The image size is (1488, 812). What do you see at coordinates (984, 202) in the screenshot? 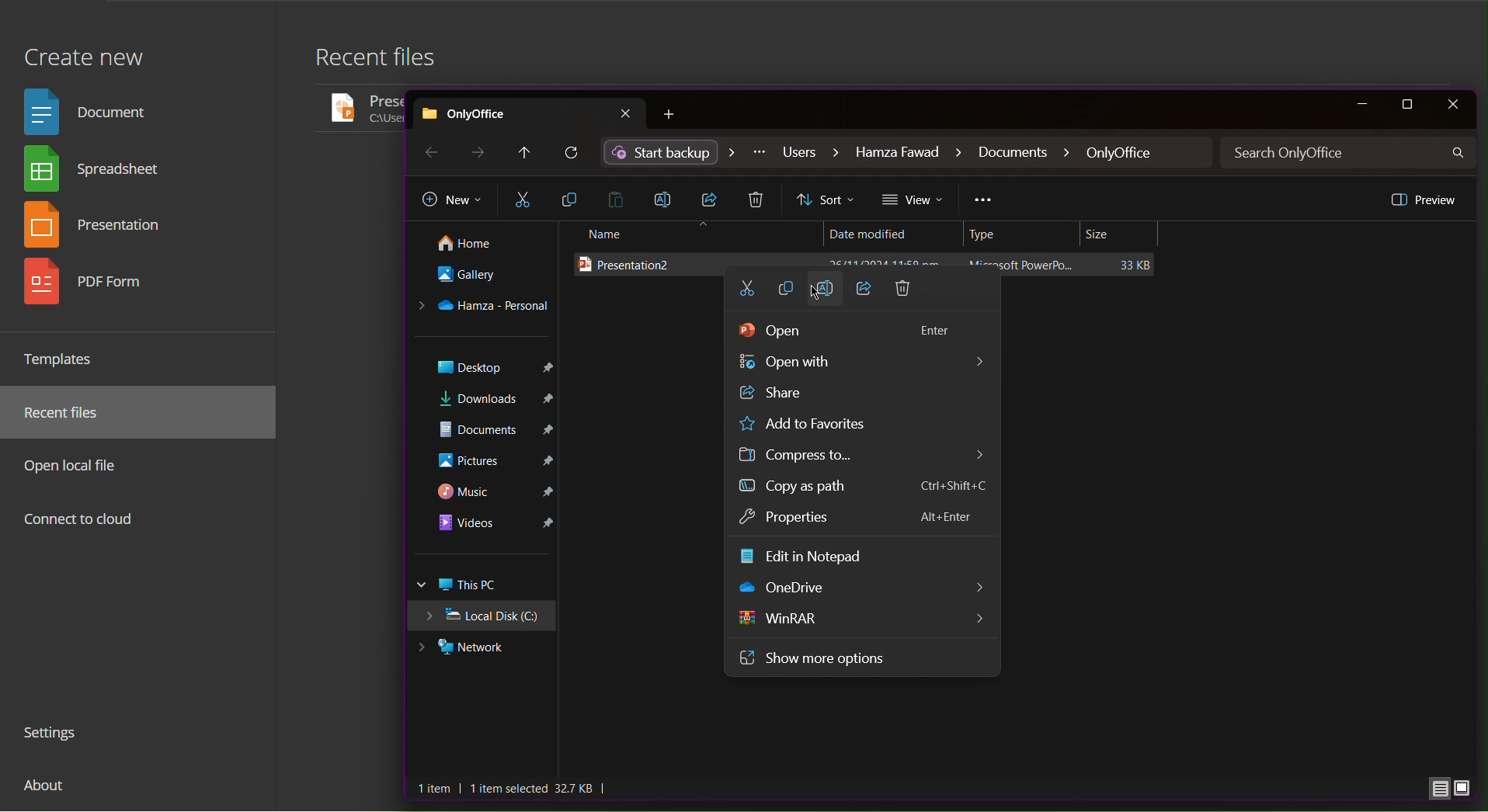
I see `More` at bounding box center [984, 202].